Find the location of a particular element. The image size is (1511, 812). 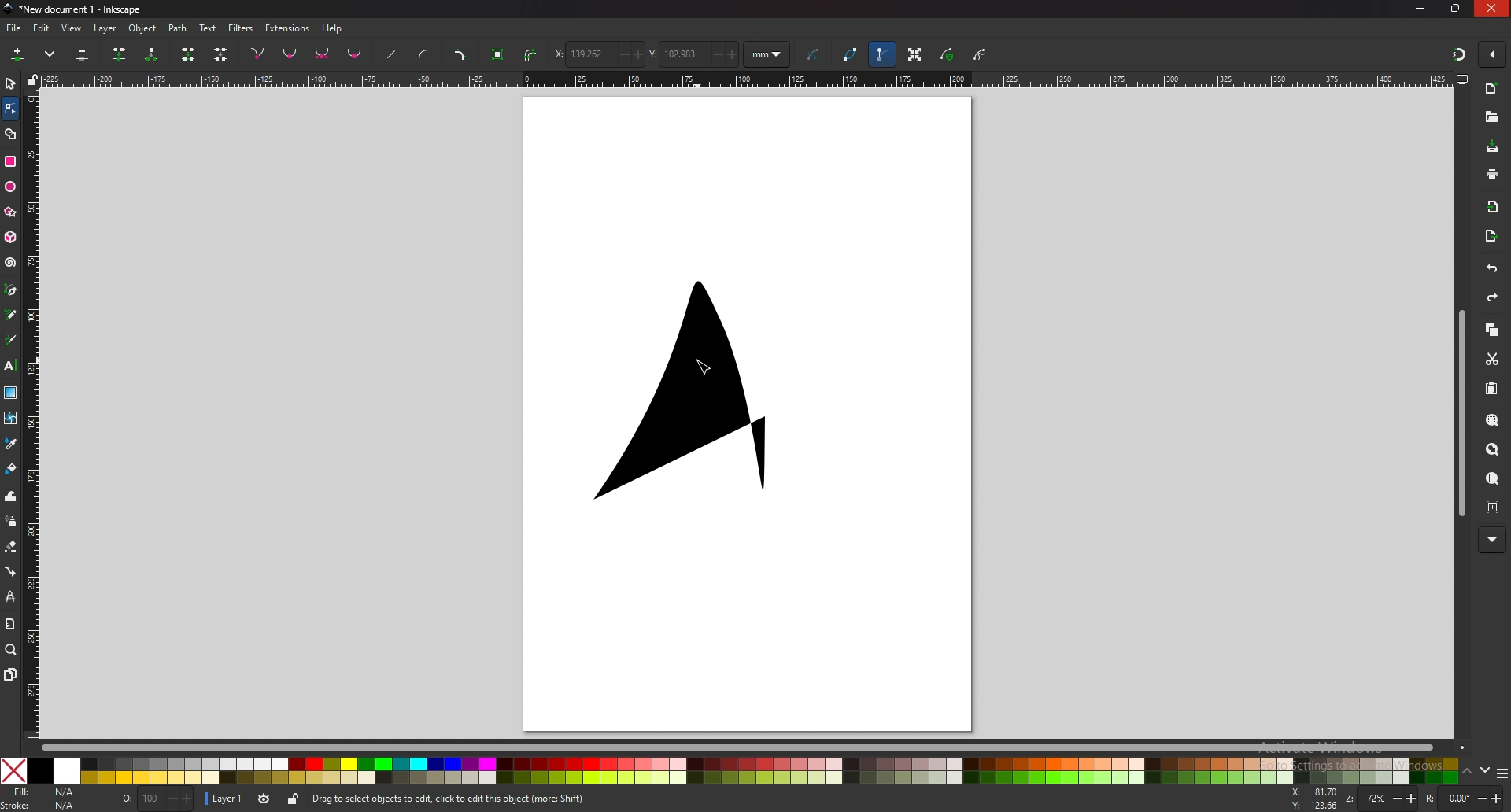

nodes smooth is located at coordinates (290, 53).